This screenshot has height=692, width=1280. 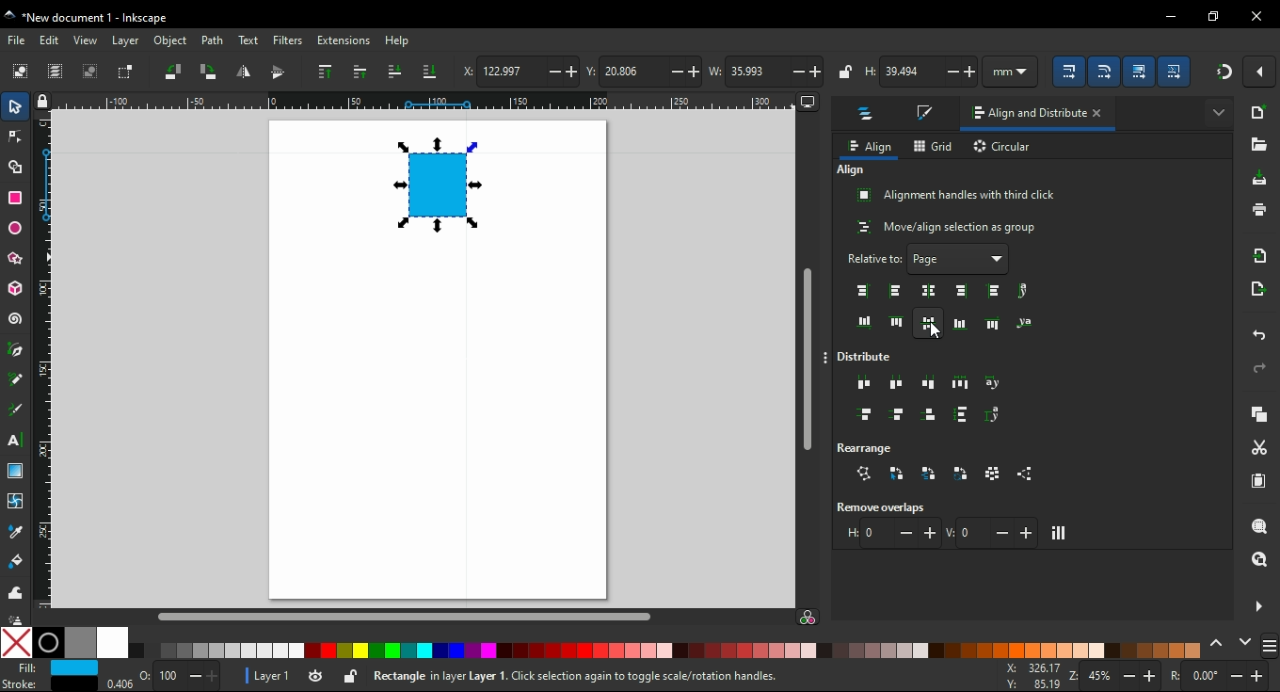 I want to click on change positions of selected objects - stacking order, so click(x=928, y=473).